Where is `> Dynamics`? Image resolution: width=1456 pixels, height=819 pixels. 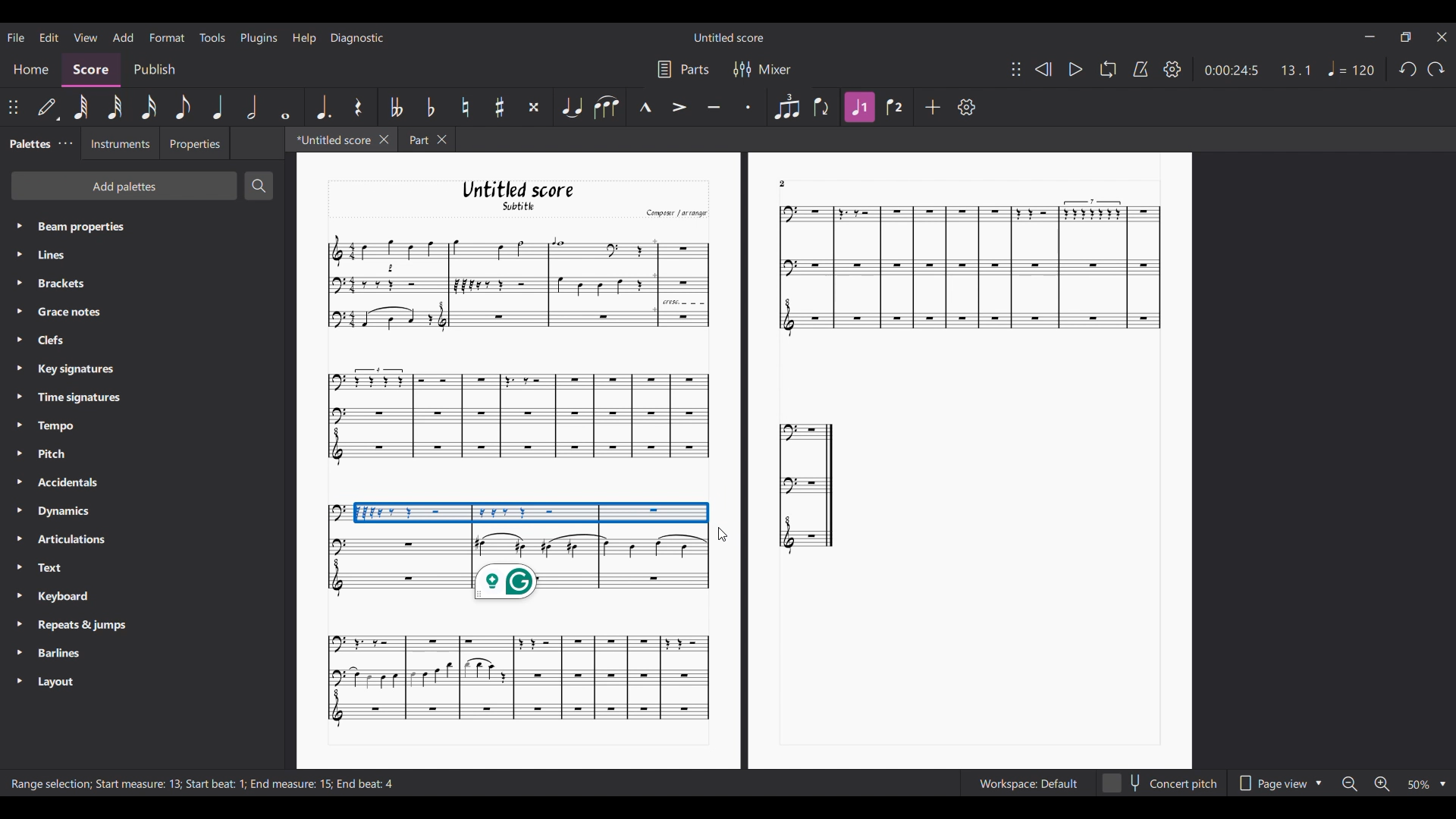
> Dynamics is located at coordinates (61, 513).